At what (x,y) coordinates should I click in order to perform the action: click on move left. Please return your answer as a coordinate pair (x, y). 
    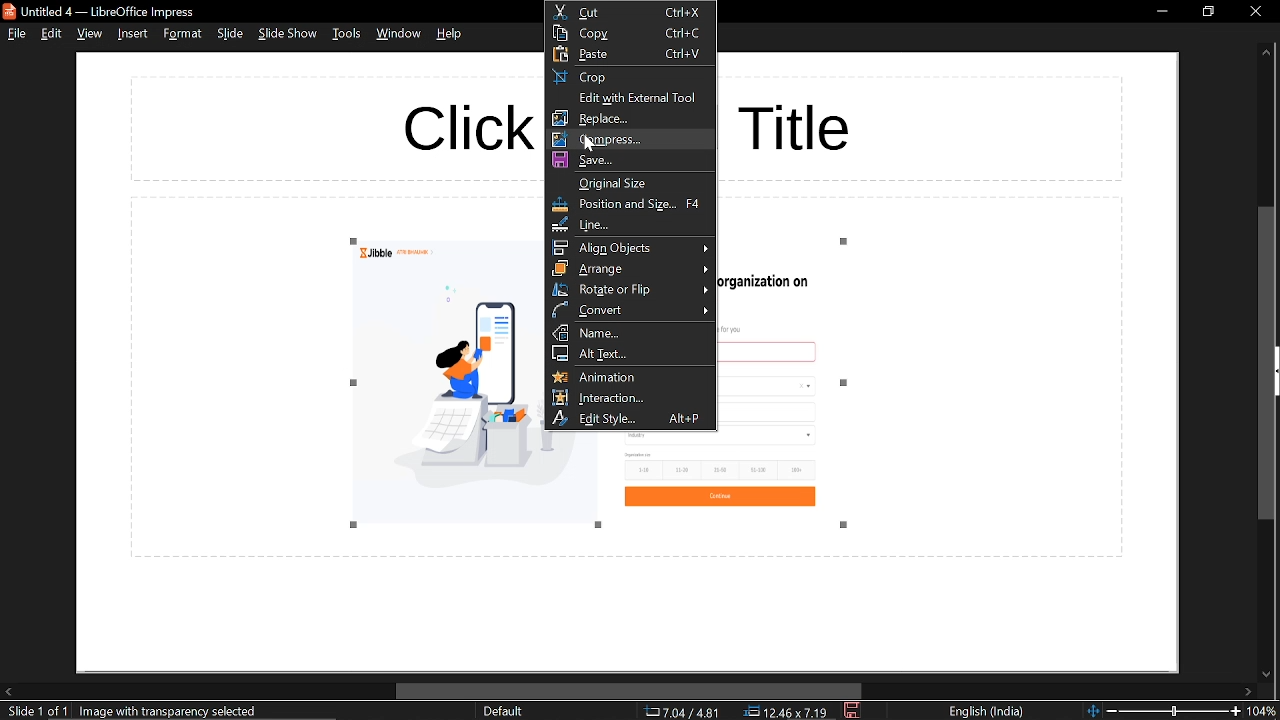
    Looking at the image, I should click on (8, 692).